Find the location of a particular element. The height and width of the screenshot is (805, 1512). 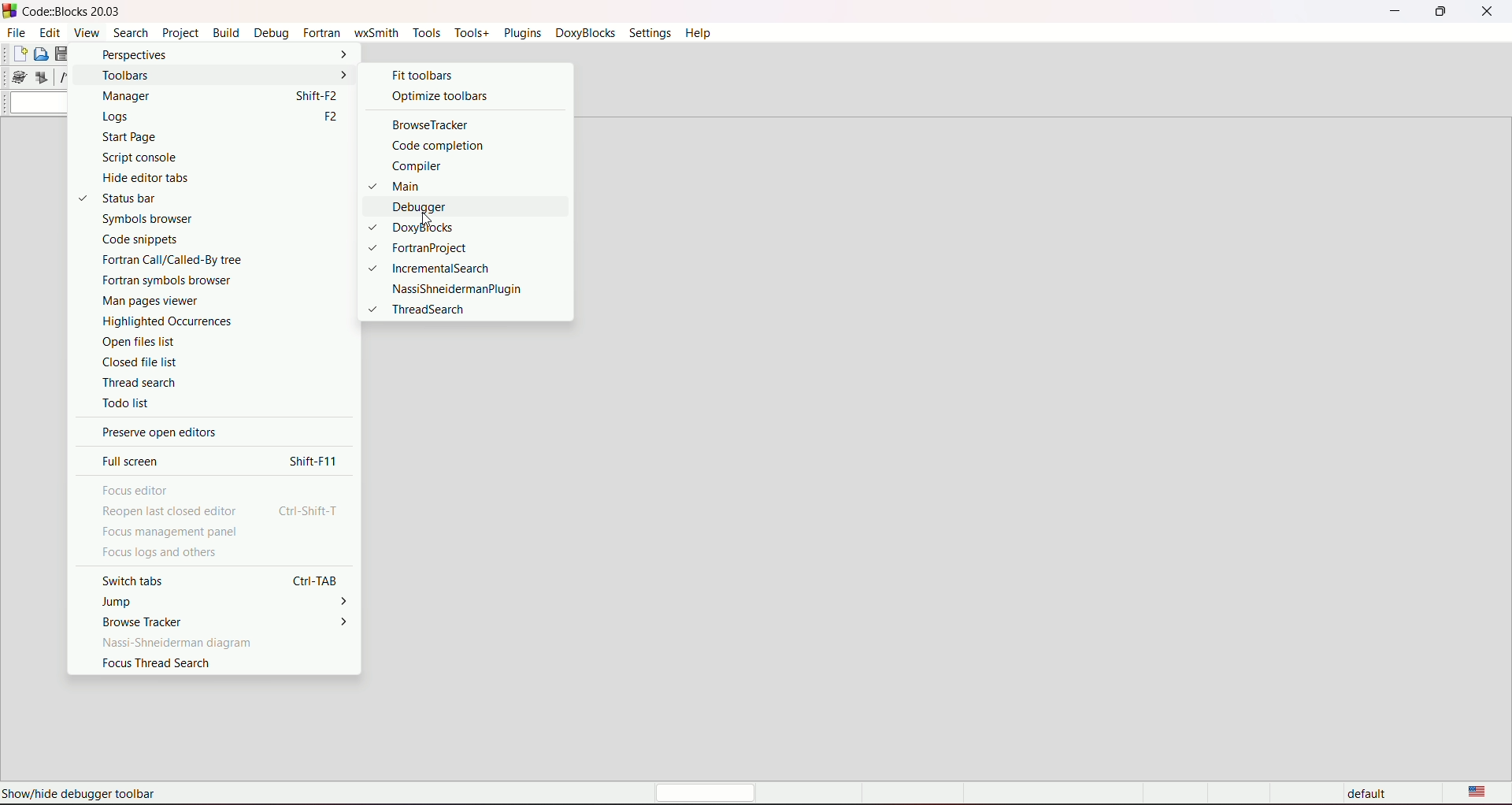

debug is located at coordinates (271, 33).